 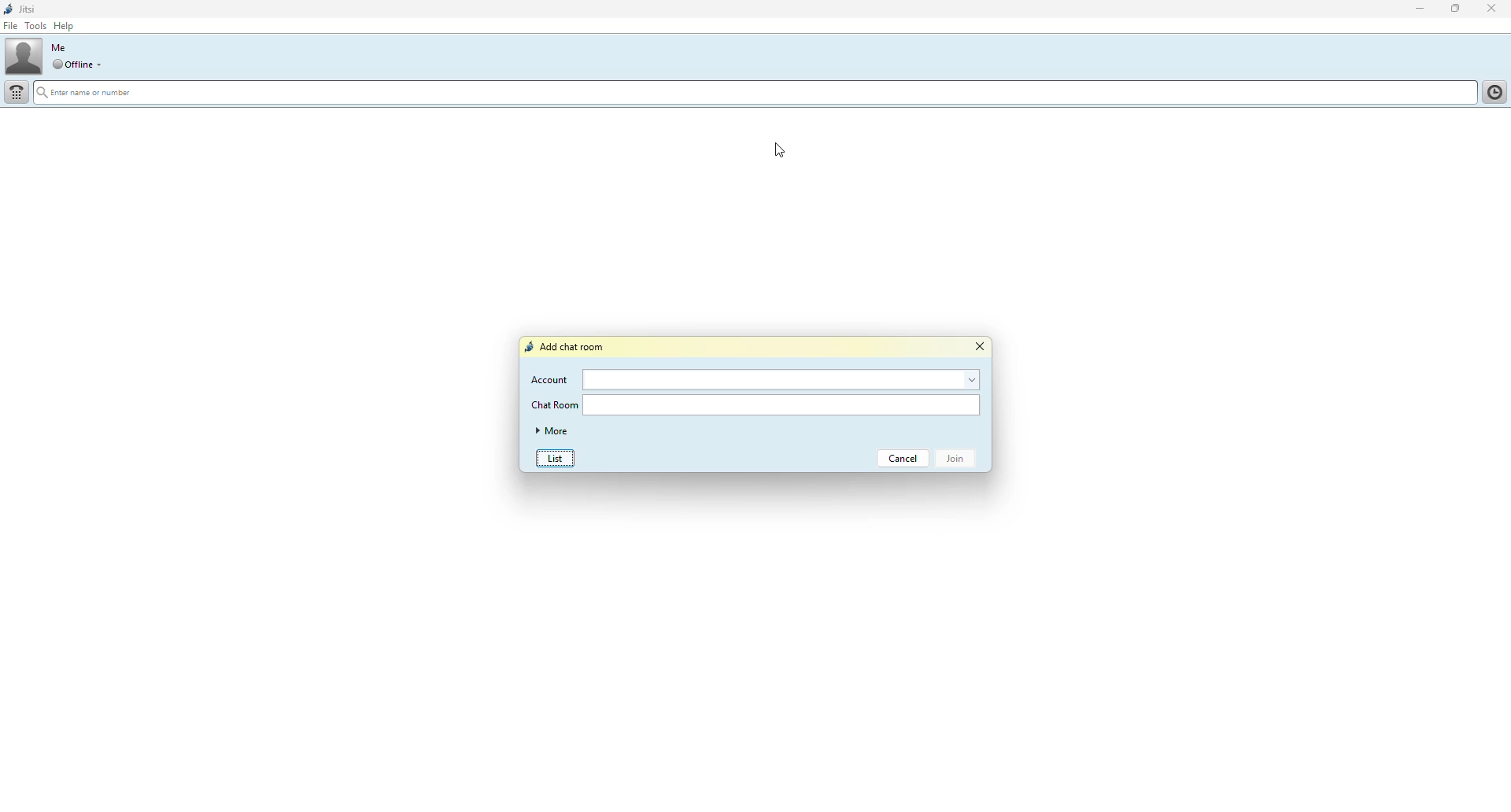 What do you see at coordinates (1491, 92) in the screenshot?
I see `contact list` at bounding box center [1491, 92].